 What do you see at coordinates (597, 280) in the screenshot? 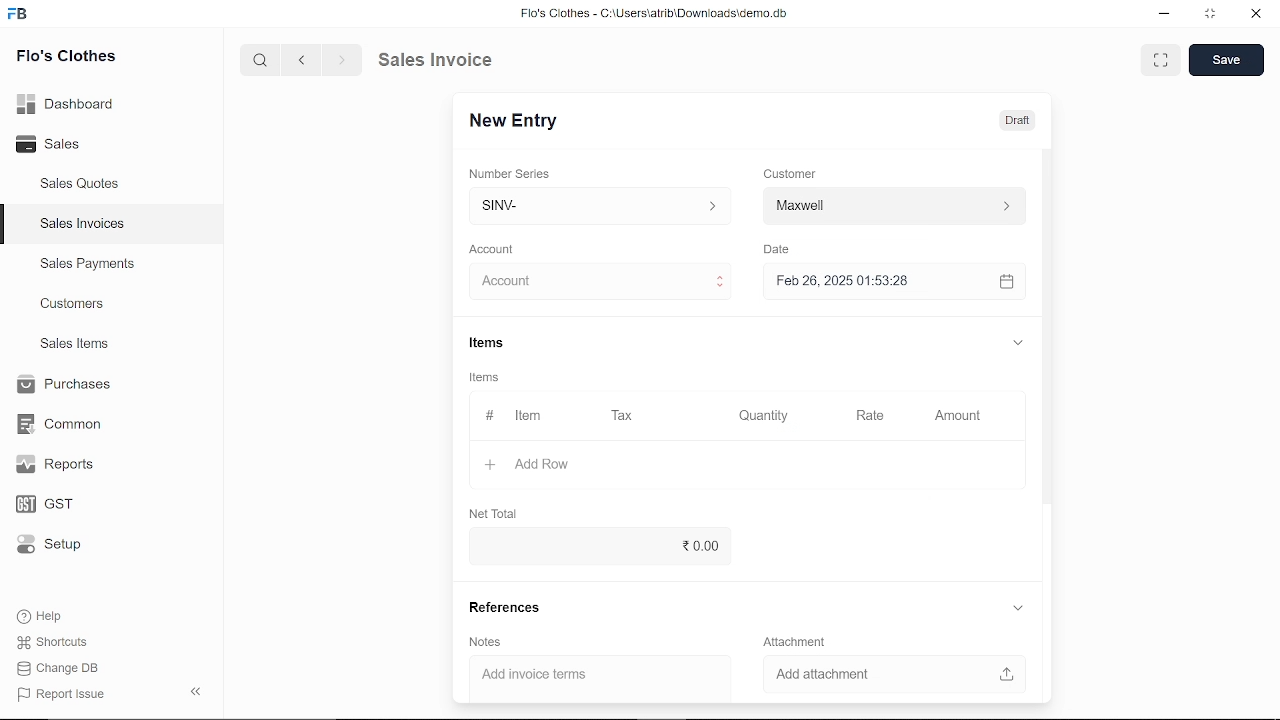
I see `Account :` at bounding box center [597, 280].